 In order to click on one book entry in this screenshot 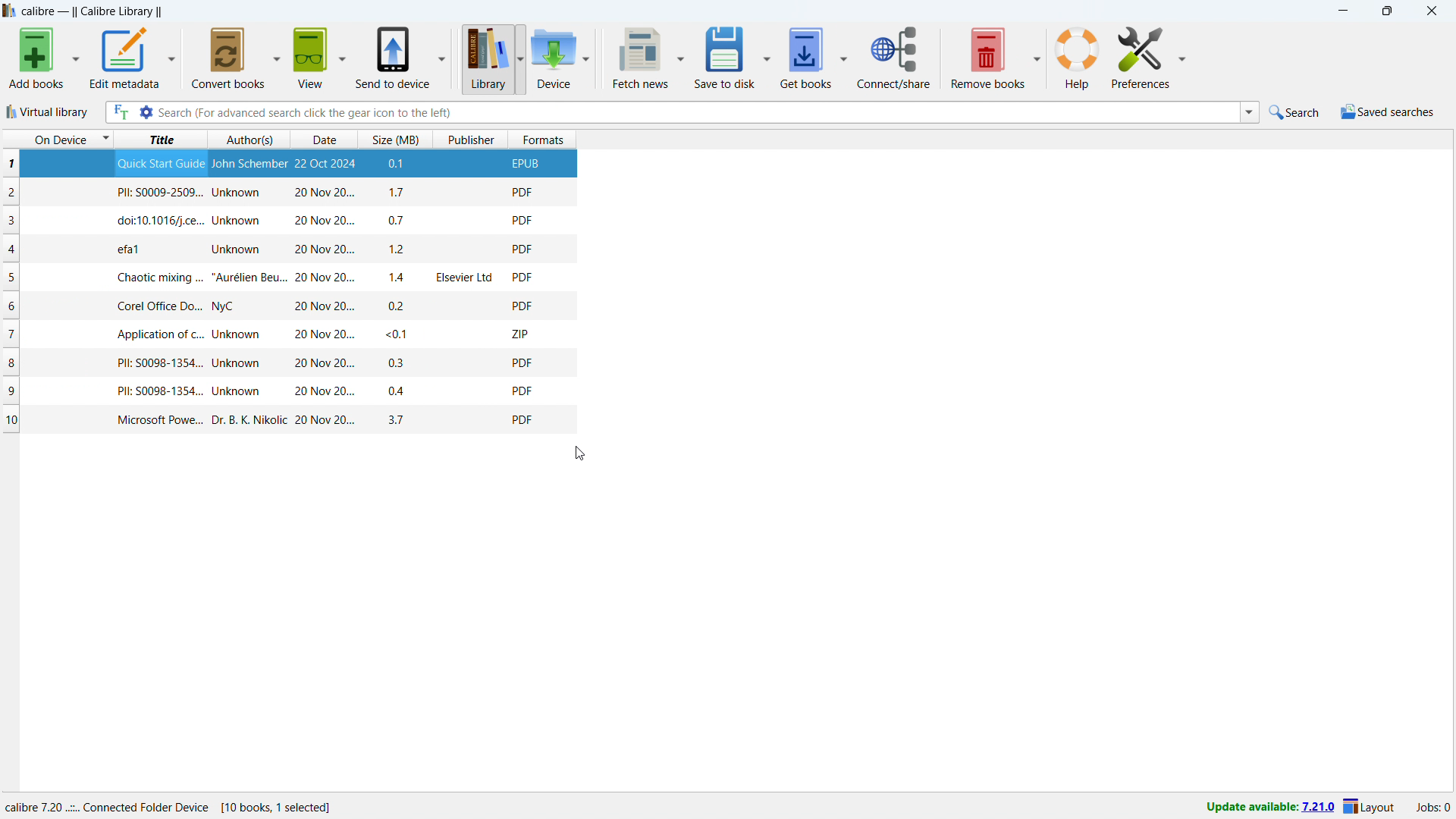, I will do `click(290, 192)`.